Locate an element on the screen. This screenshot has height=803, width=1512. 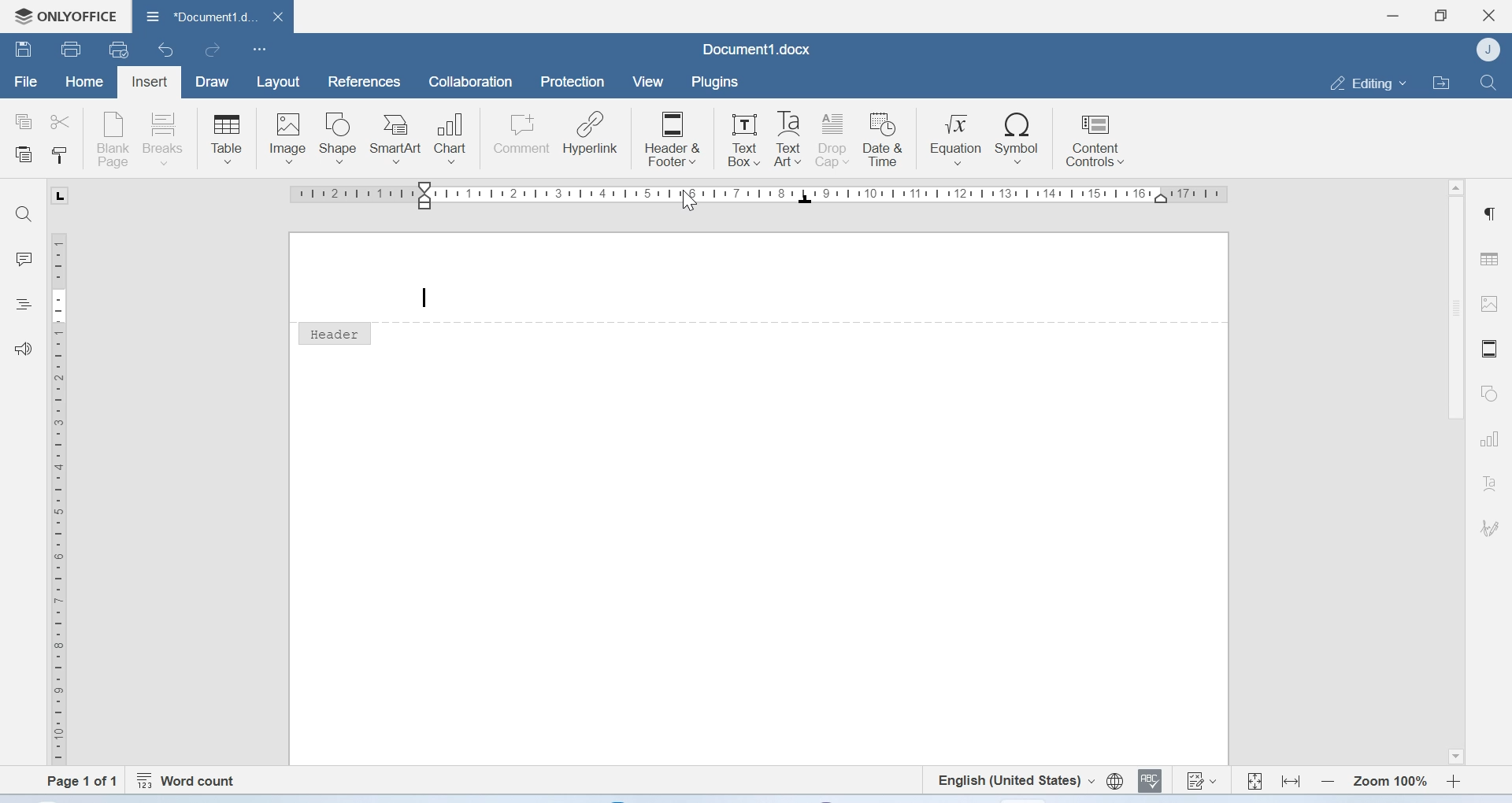
Paragraph settings is located at coordinates (1492, 214).